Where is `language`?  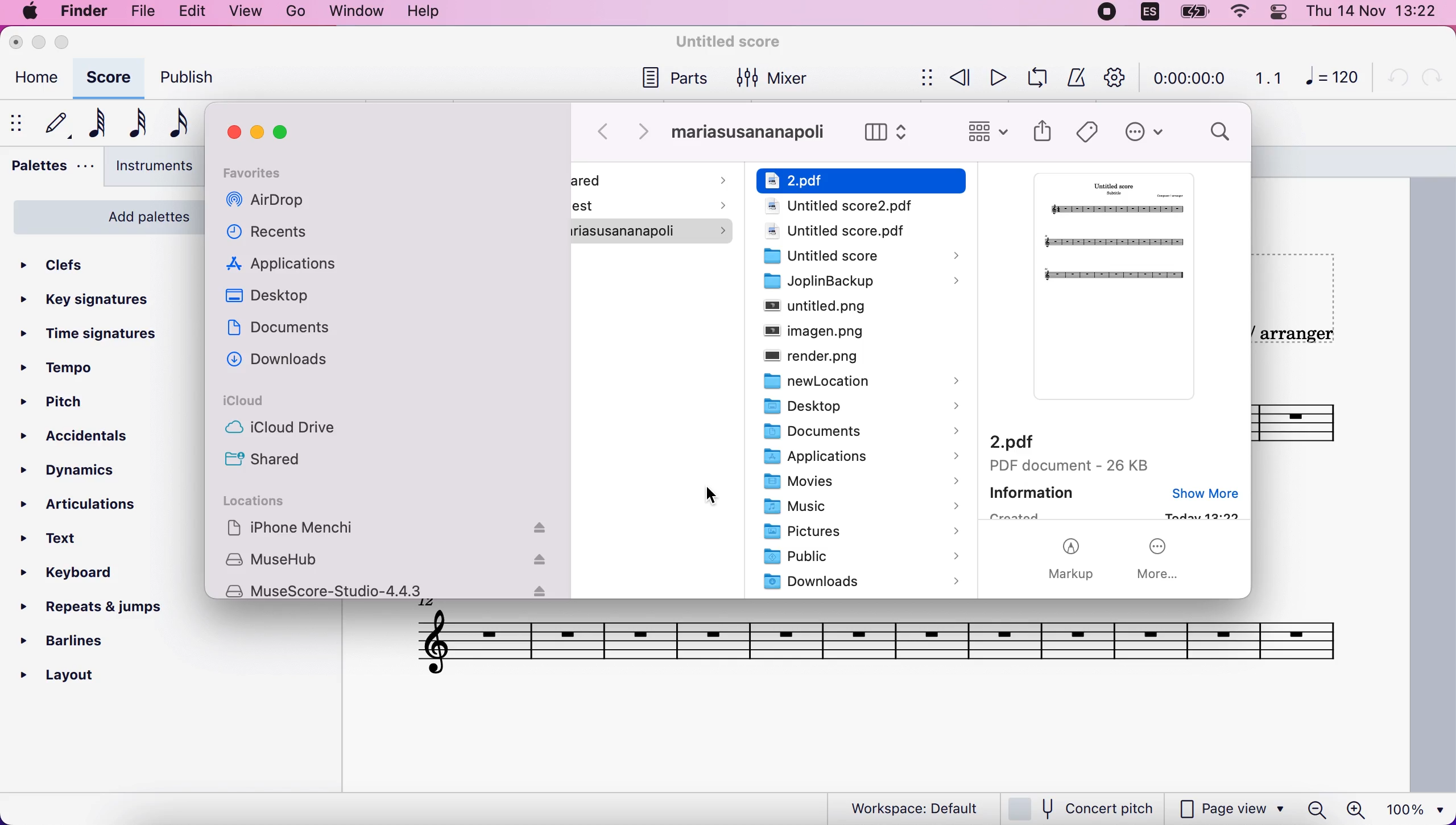 language is located at coordinates (1145, 13).